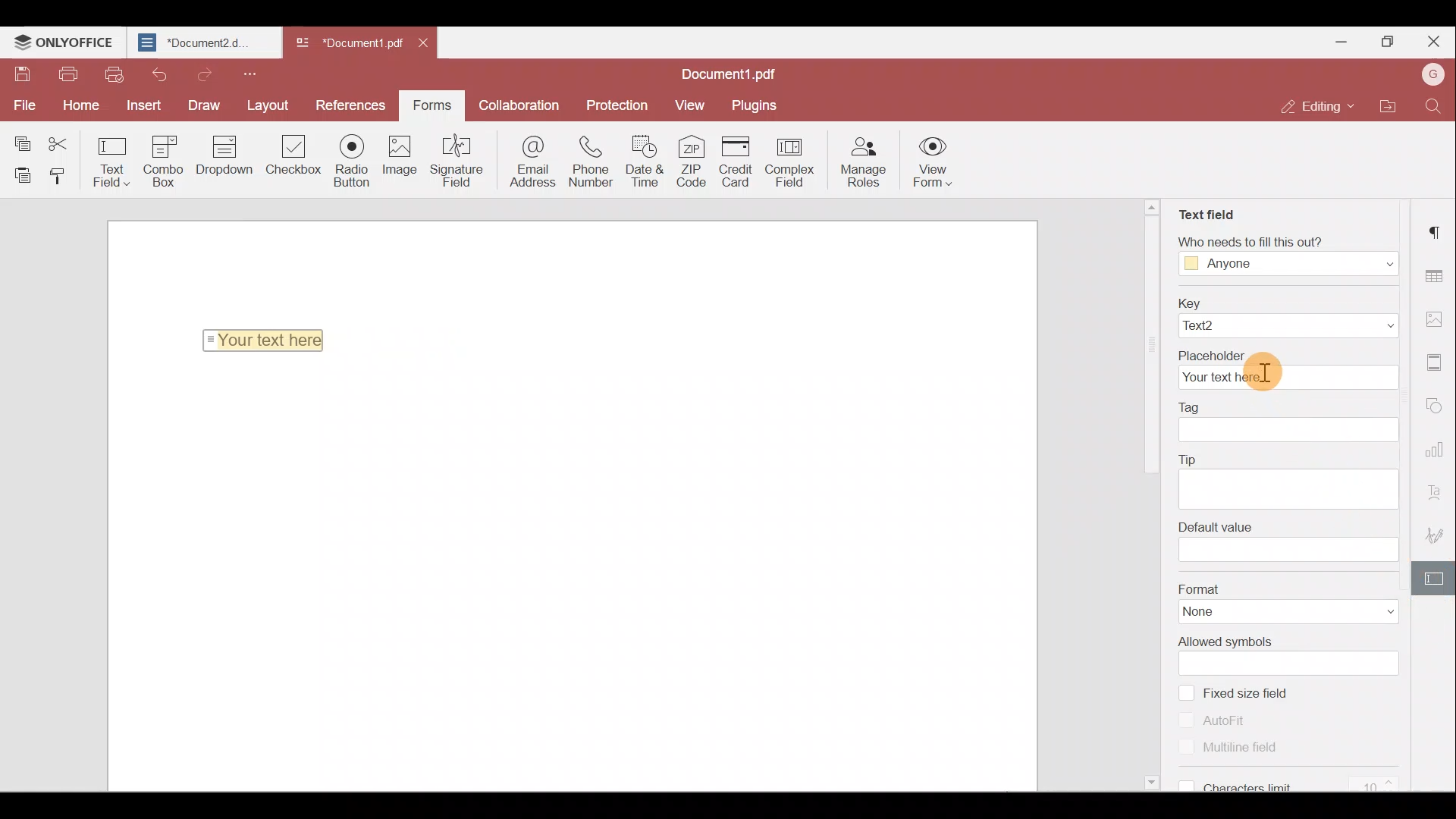 The image size is (1456, 819). I want to click on checkbox, so click(1185, 692).